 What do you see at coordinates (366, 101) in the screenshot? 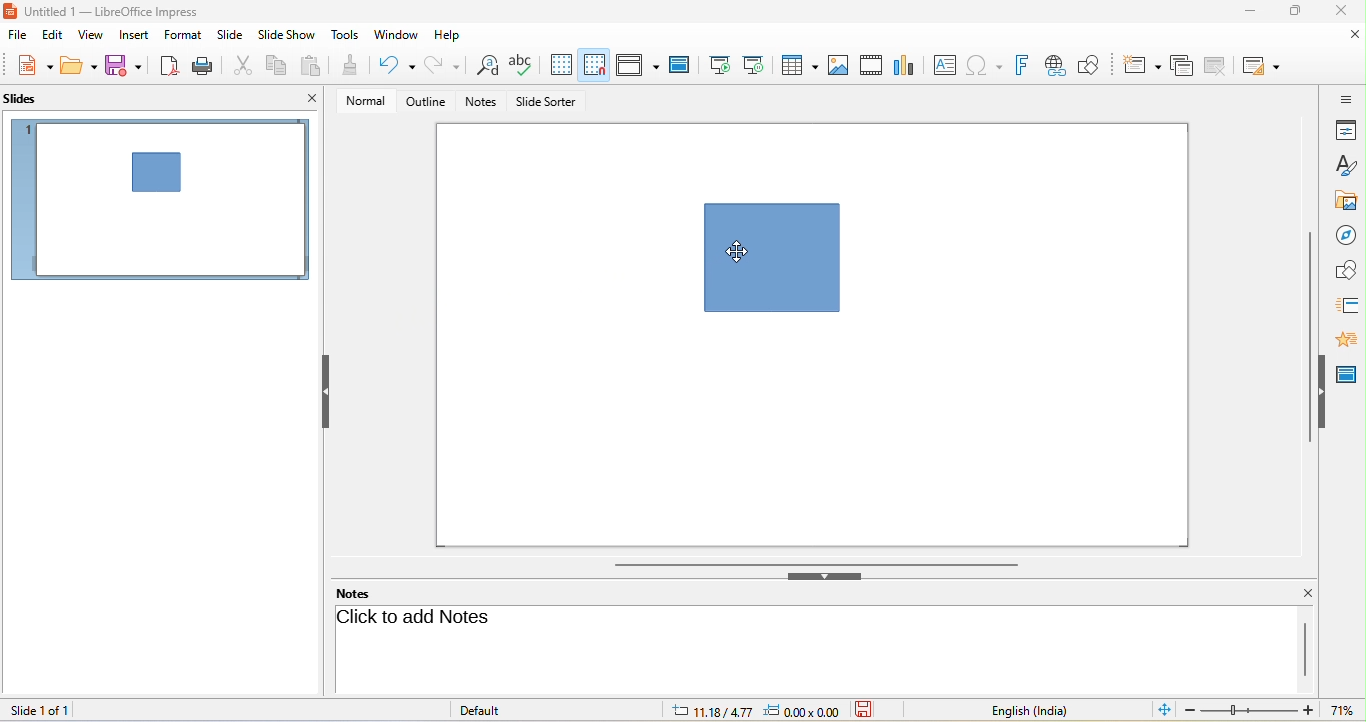
I see `normal` at bounding box center [366, 101].